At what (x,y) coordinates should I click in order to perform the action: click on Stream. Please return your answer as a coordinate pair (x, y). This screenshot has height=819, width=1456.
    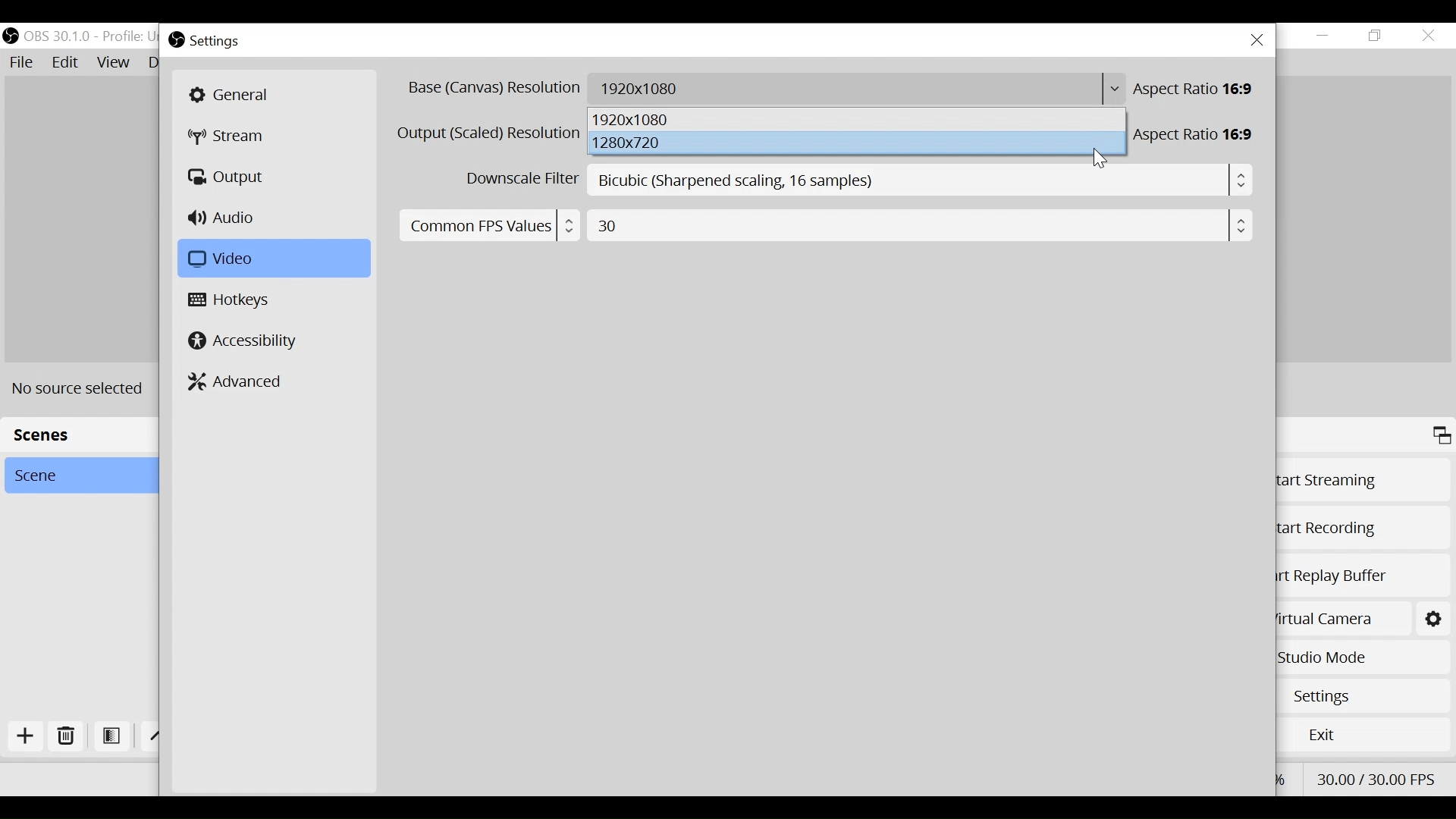
    Looking at the image, I should click on (234, 137).